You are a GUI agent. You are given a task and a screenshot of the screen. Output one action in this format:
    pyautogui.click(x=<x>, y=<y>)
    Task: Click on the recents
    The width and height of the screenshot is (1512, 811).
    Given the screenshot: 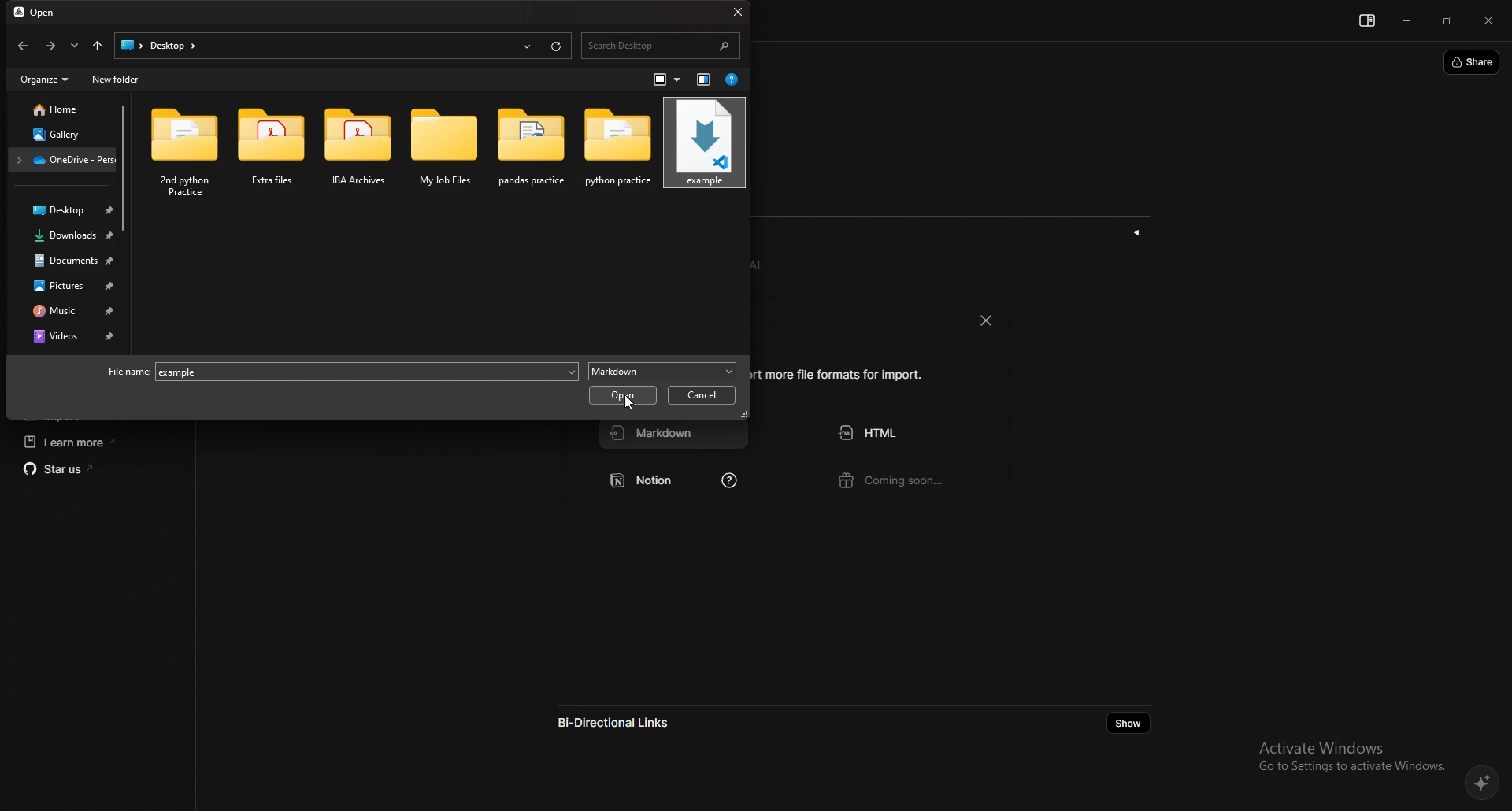 What is the action you would take?
    pyautogui.click(x=526, y=45)
    